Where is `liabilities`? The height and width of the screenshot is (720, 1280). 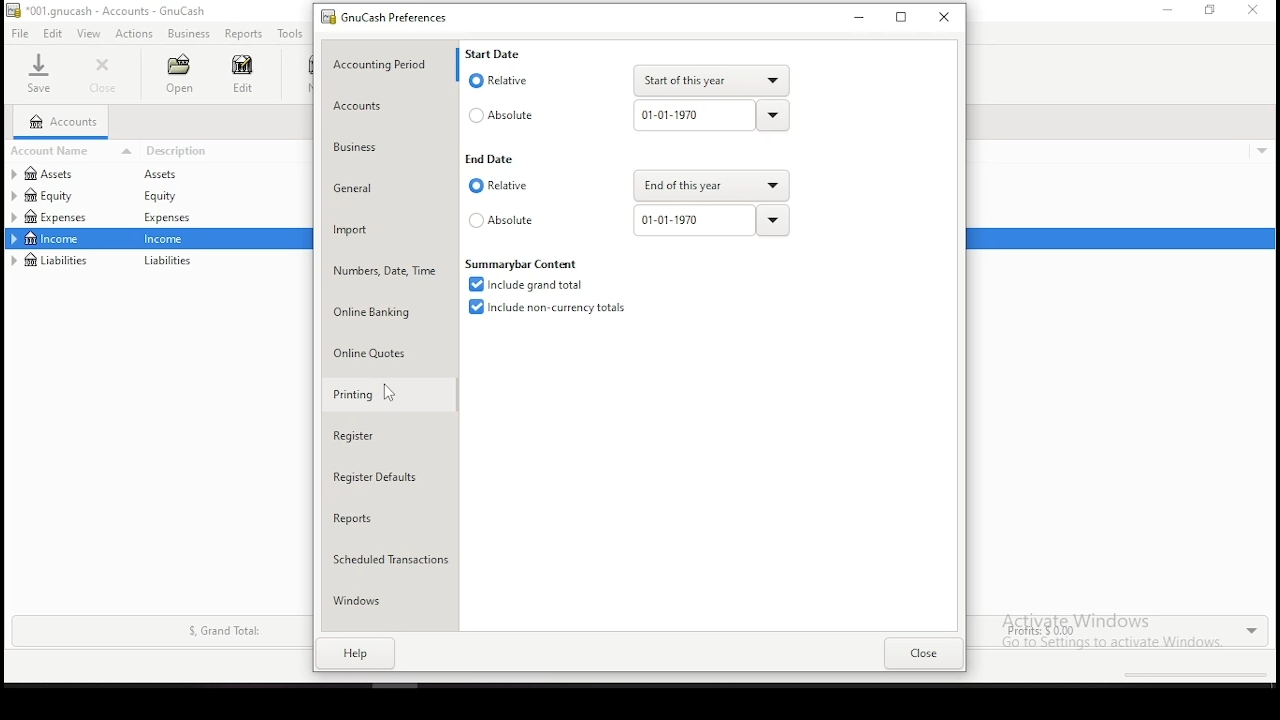 liabilities is located at coordinates (52, 260).